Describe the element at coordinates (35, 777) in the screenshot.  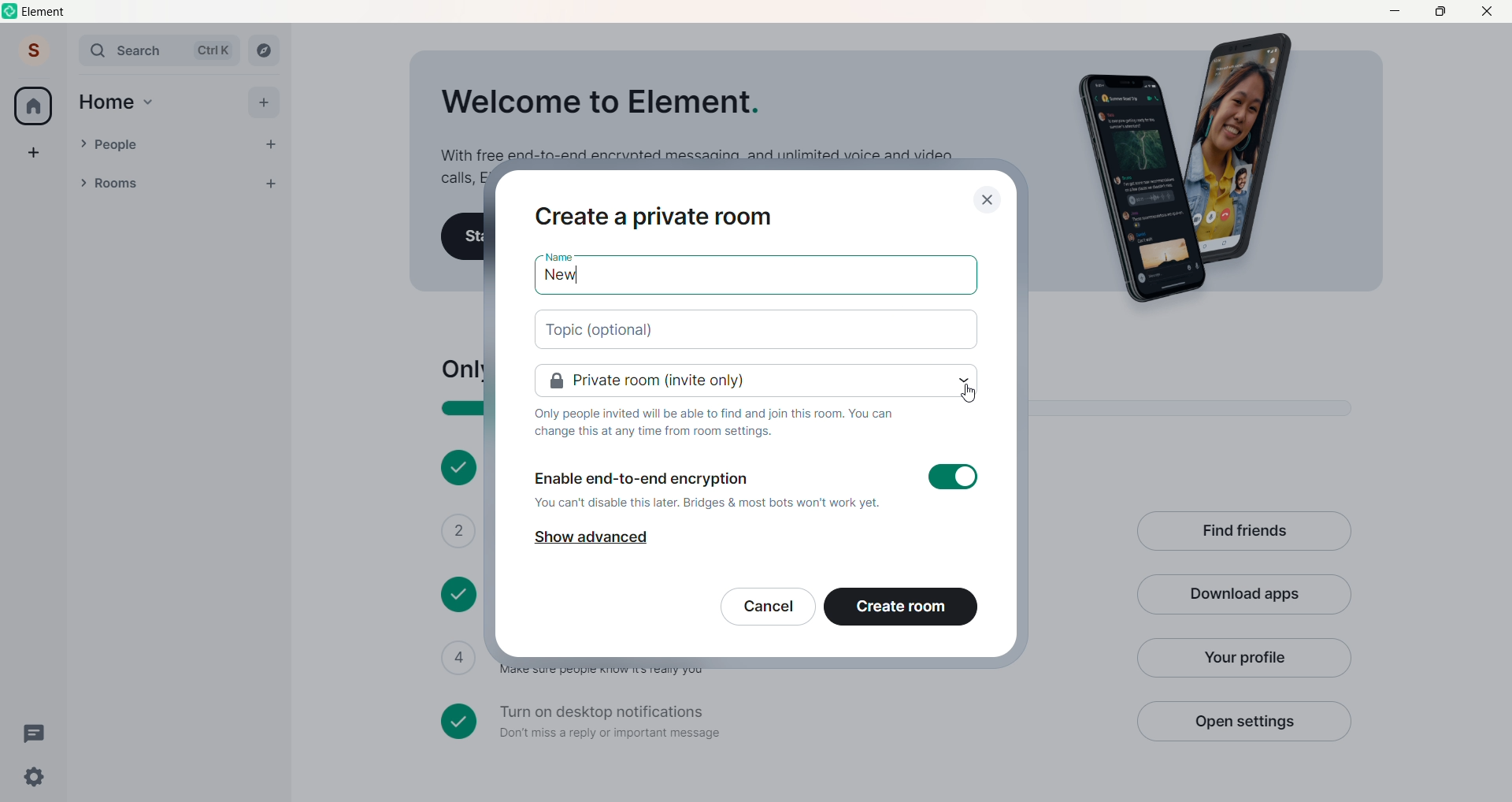
I see `Quick Settings` at that location.